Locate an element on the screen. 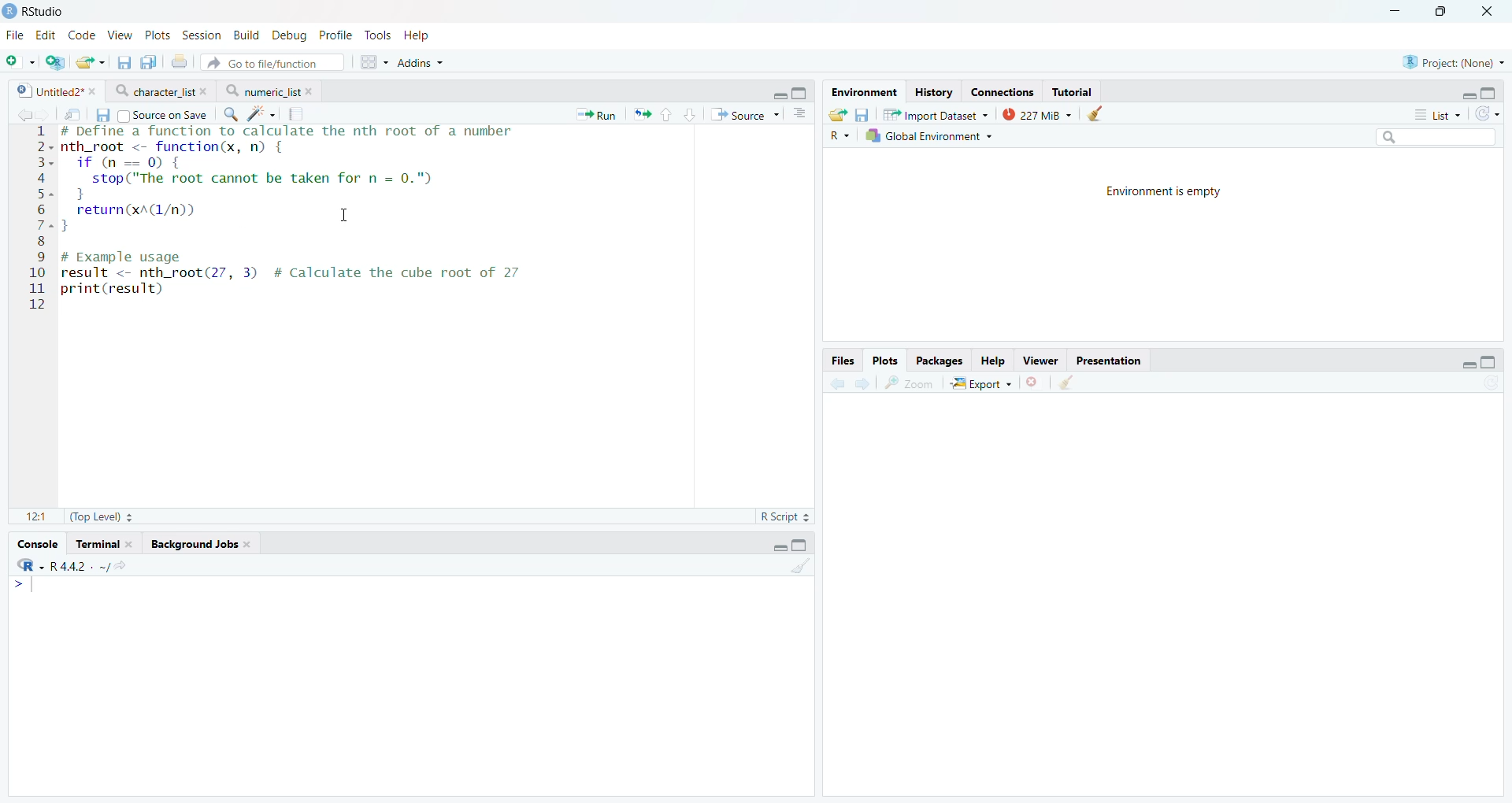 This screenshot has height=803, width=1512. Environment is located at coordinates (863, 92).